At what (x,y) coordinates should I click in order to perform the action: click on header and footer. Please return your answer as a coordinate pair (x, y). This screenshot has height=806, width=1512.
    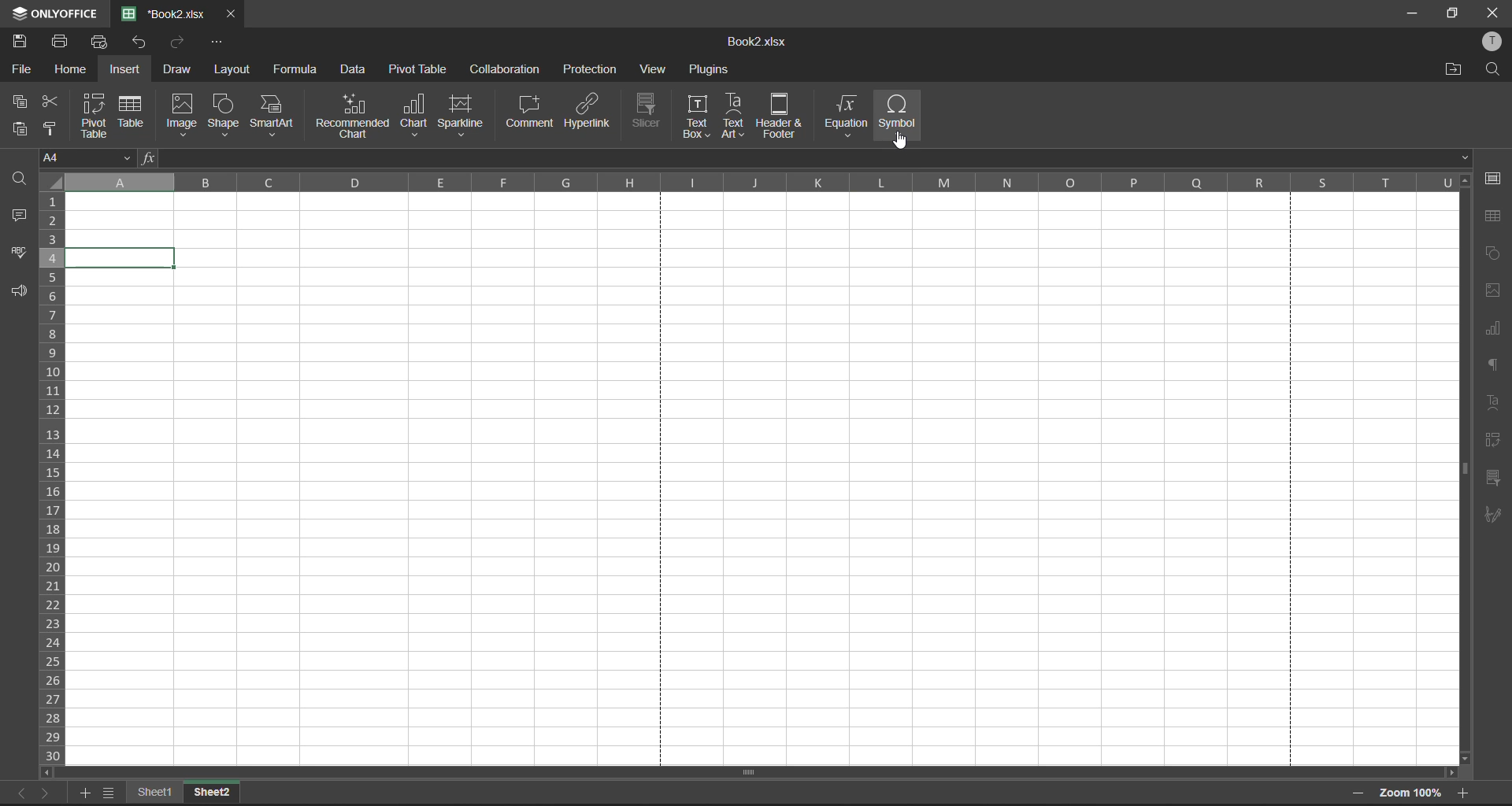
    Looking at the image, I should click on (783, 116).